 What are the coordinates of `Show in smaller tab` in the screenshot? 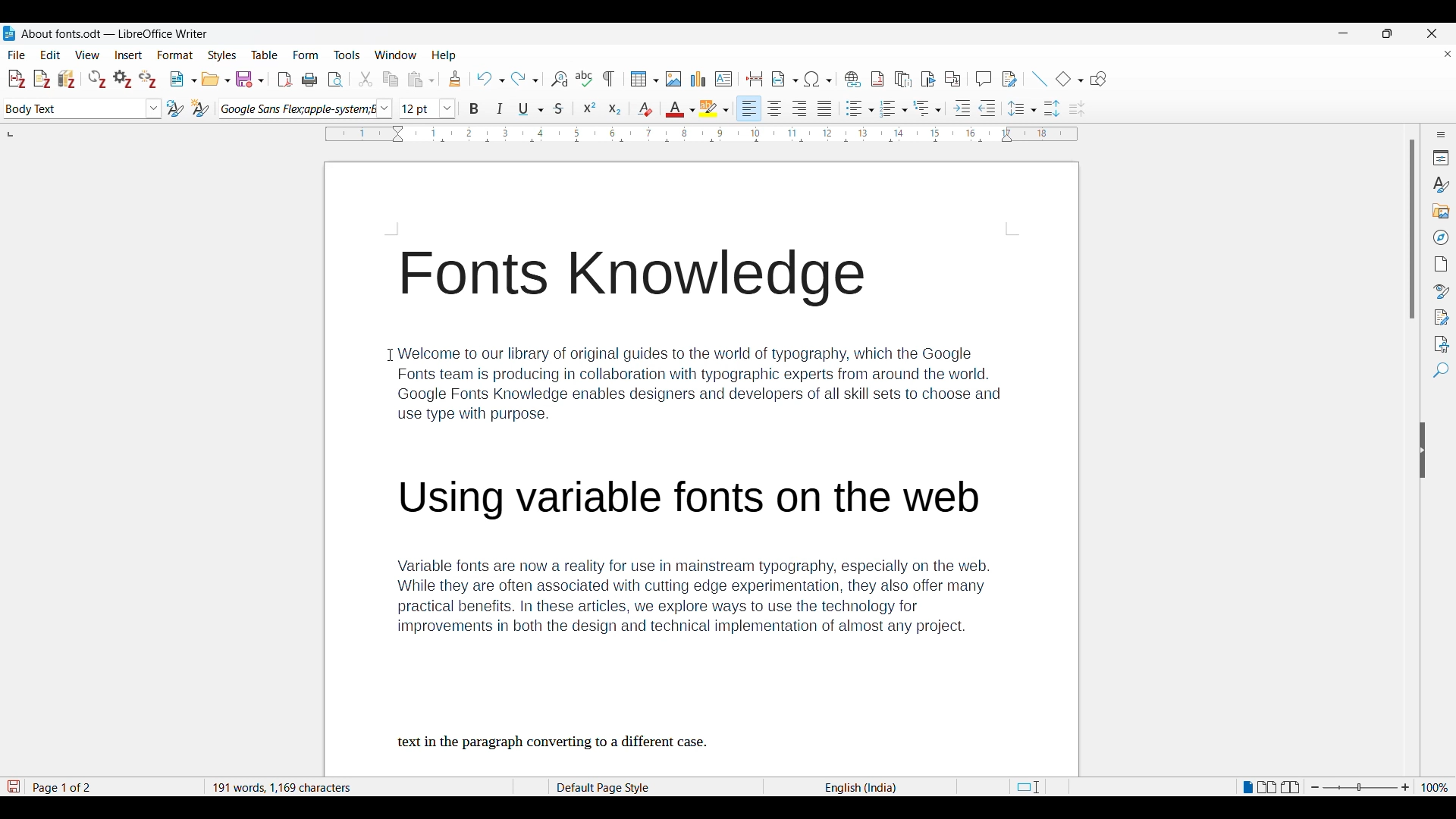 It's located at (1387, 33).